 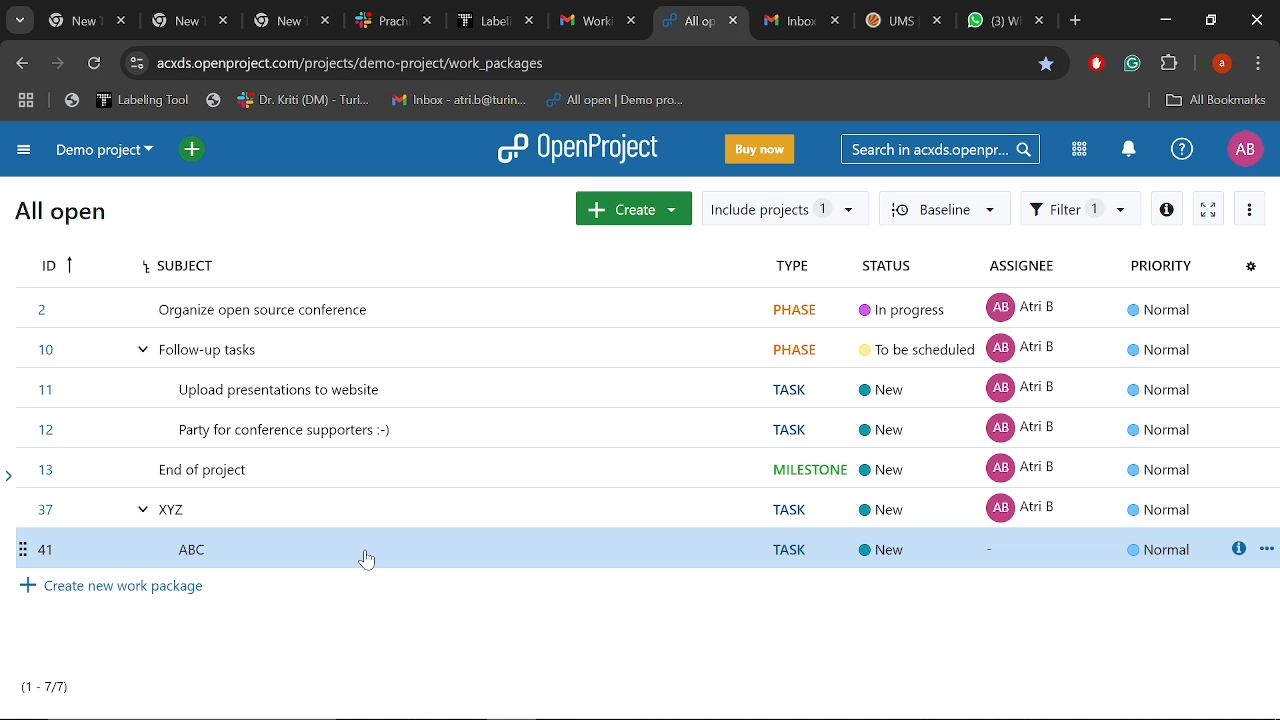 I want to click on Notifications, so click(x=1128, y=150).